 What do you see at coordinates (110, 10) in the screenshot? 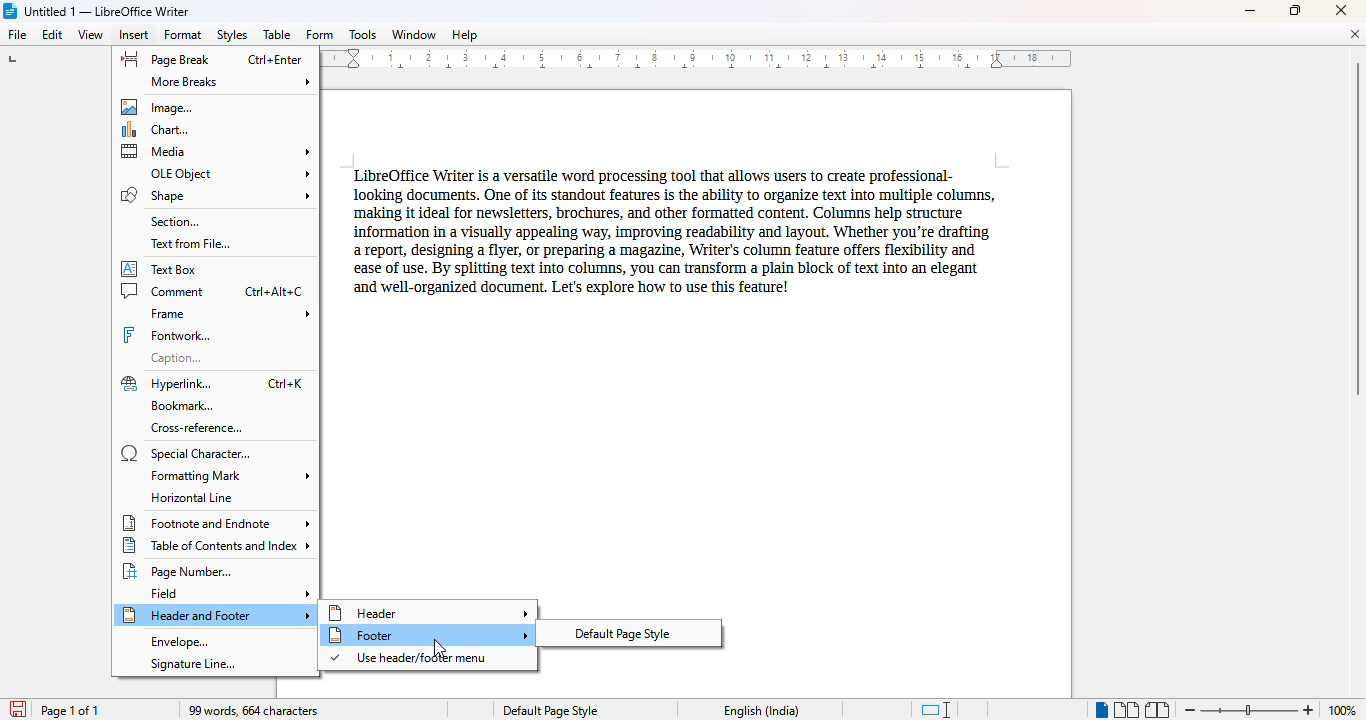
I see `Untitled 1 -- LibreOffice Writer` at bounding box center [110, 10].